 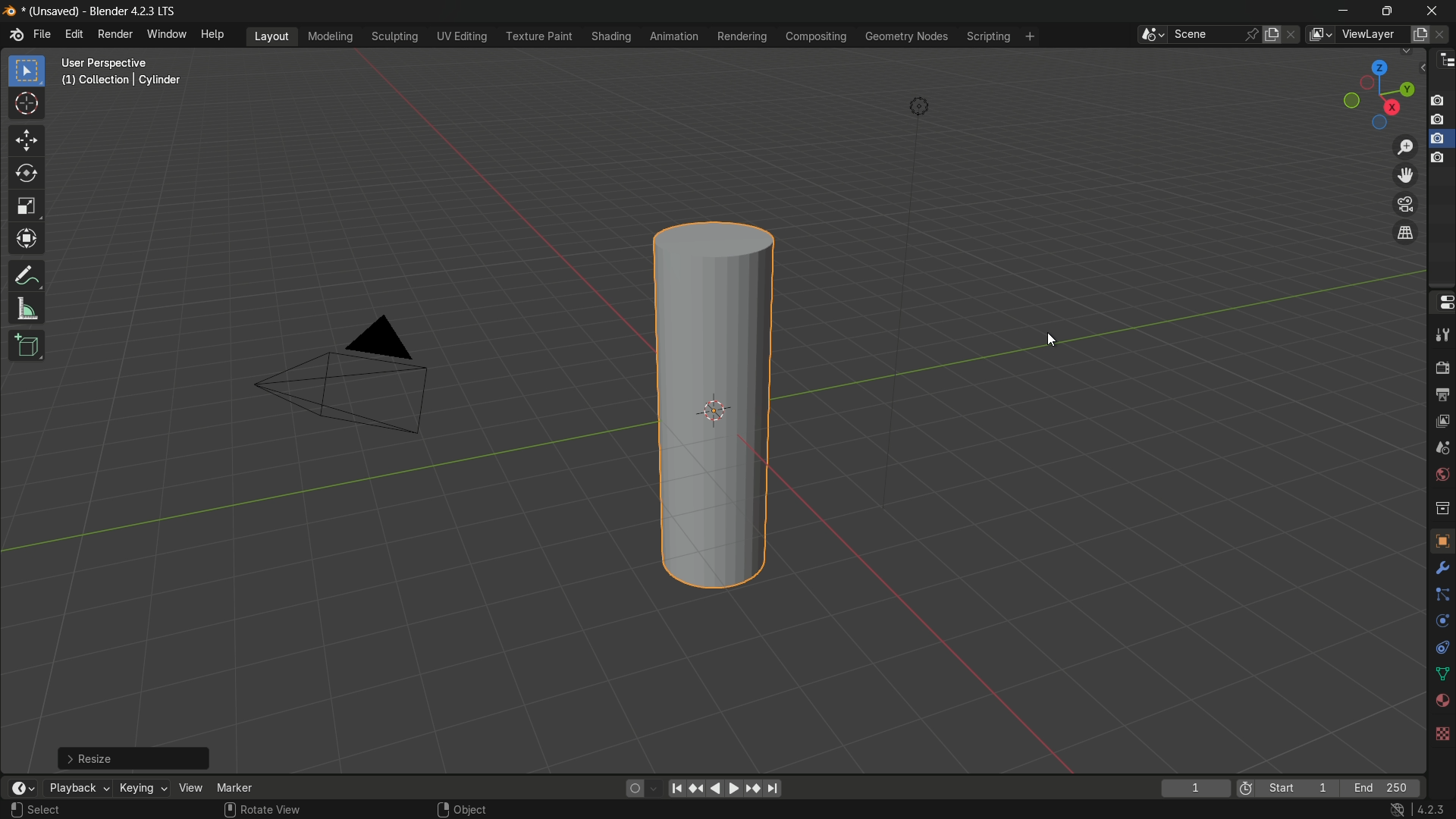 What do you see at coordinates (1433, 808) in the screenshot?
I see `4.2.3` at bounding box center [1433, 808].